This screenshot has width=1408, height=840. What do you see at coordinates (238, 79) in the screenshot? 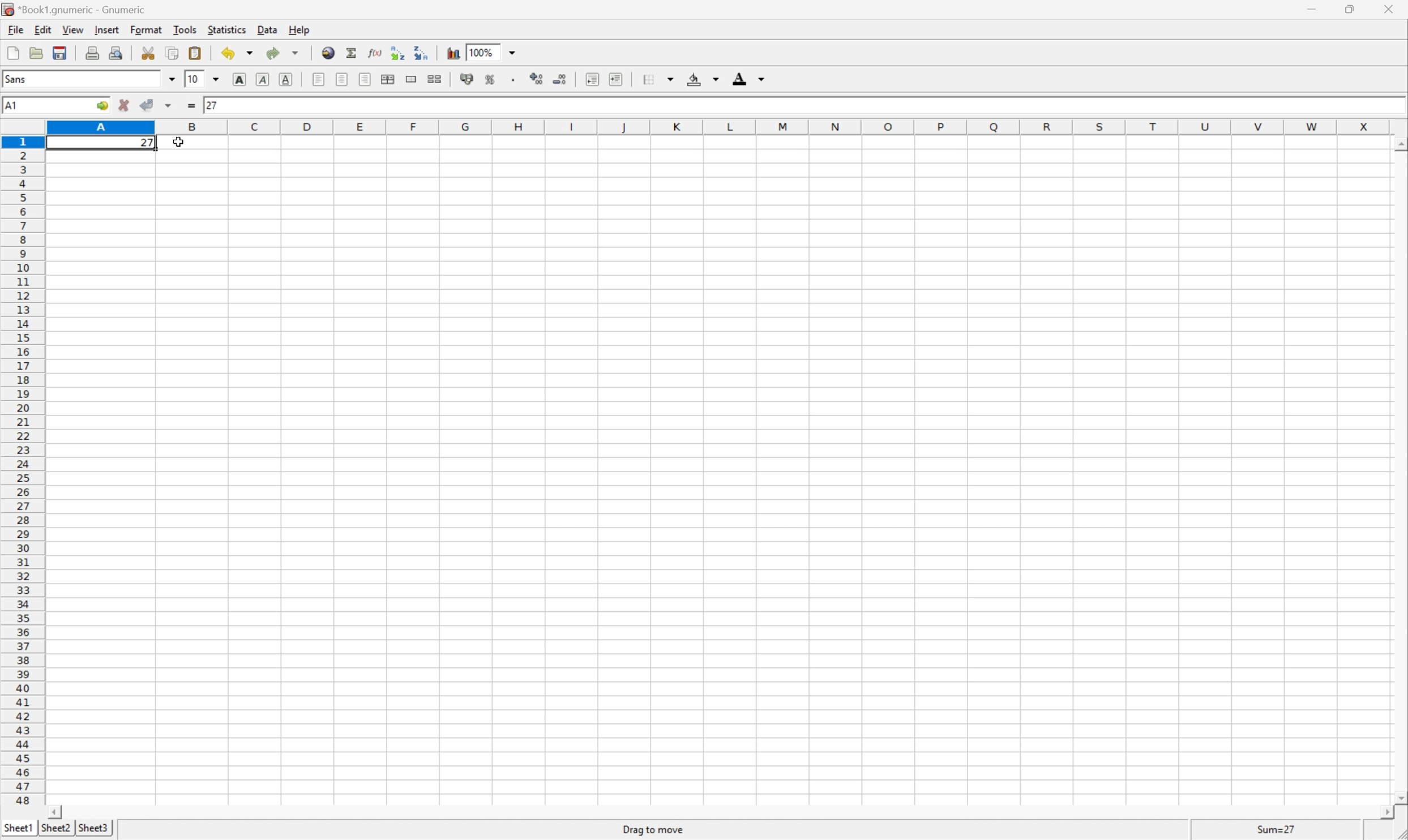
I see `Bold` at bounding box center [238, 79].